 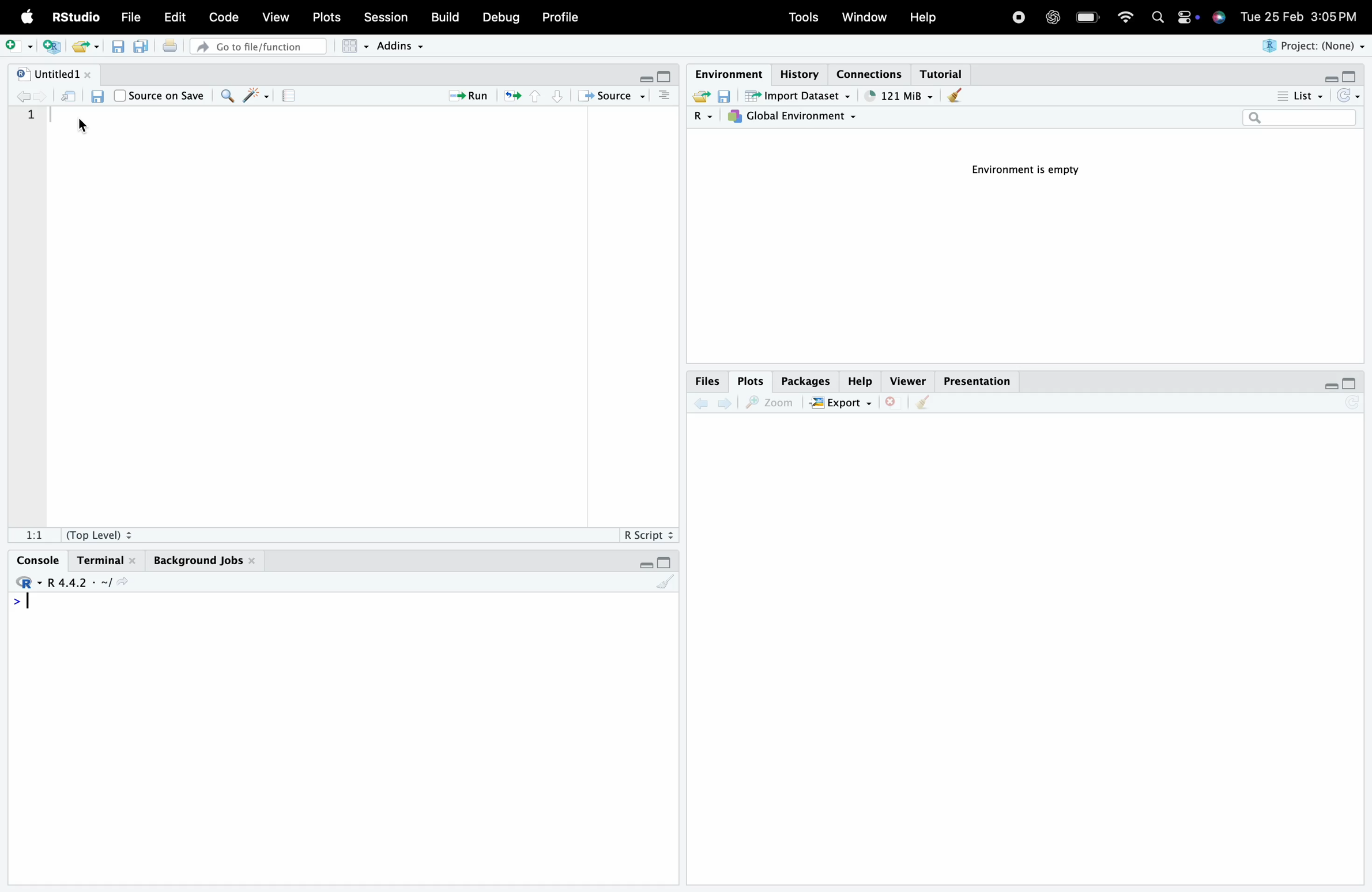 What do you see at coordinates (226, 96) in the screenshot?
I see `Find/Replace` at bounding box center [226, 96].